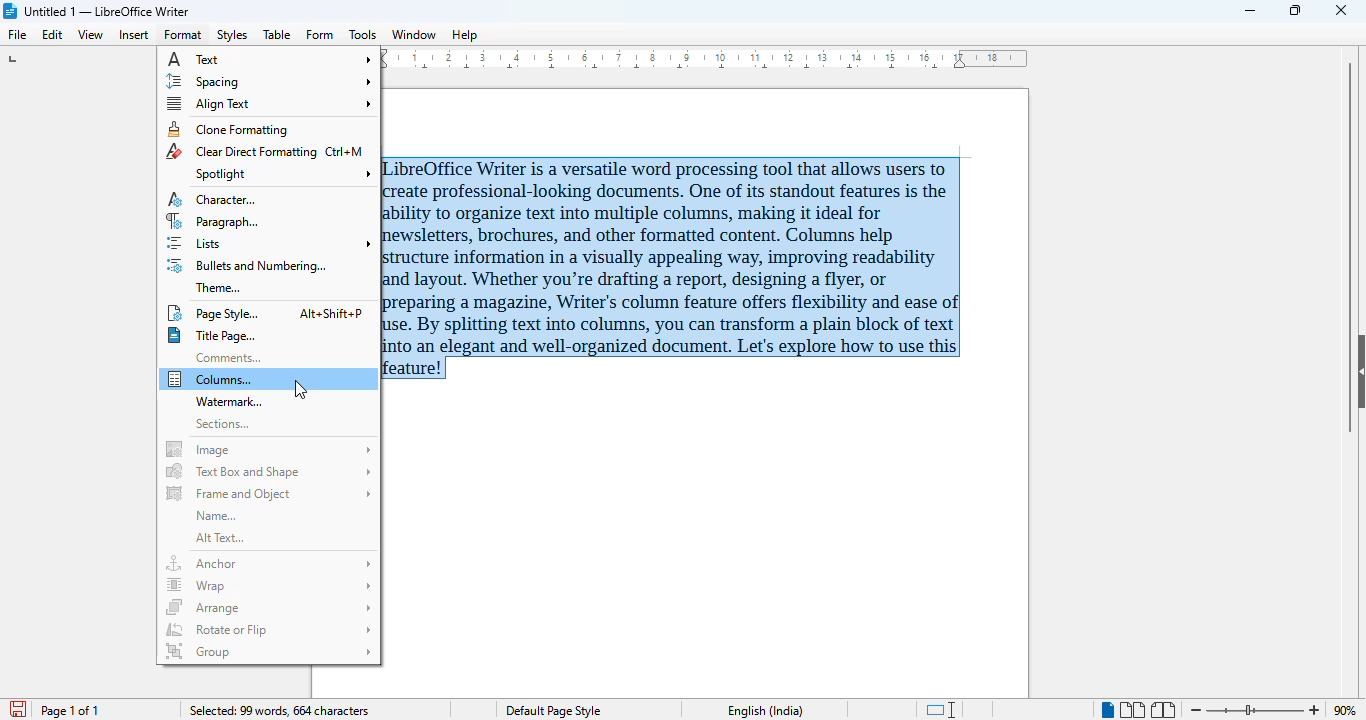 The height and width of the screenshot is (720, 1366). I want to click on zoom in, so click(1315, 710).